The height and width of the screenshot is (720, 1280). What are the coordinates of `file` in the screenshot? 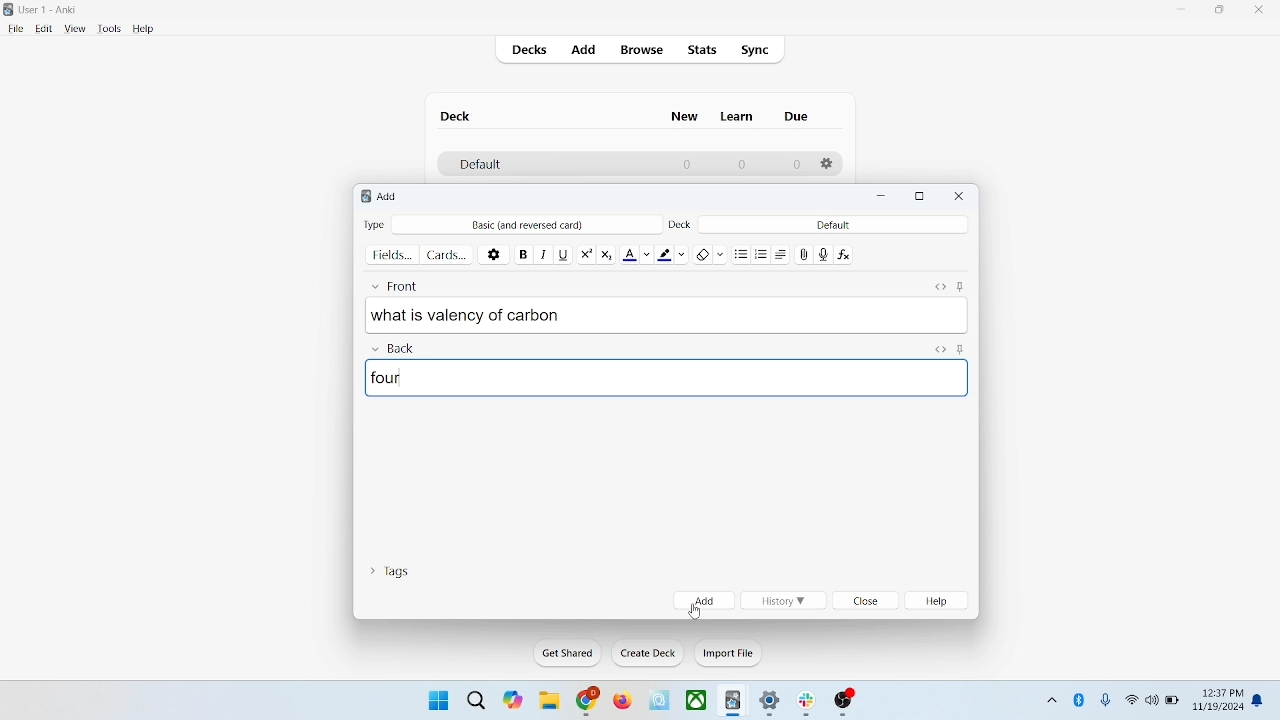 It's located at (15, 29).